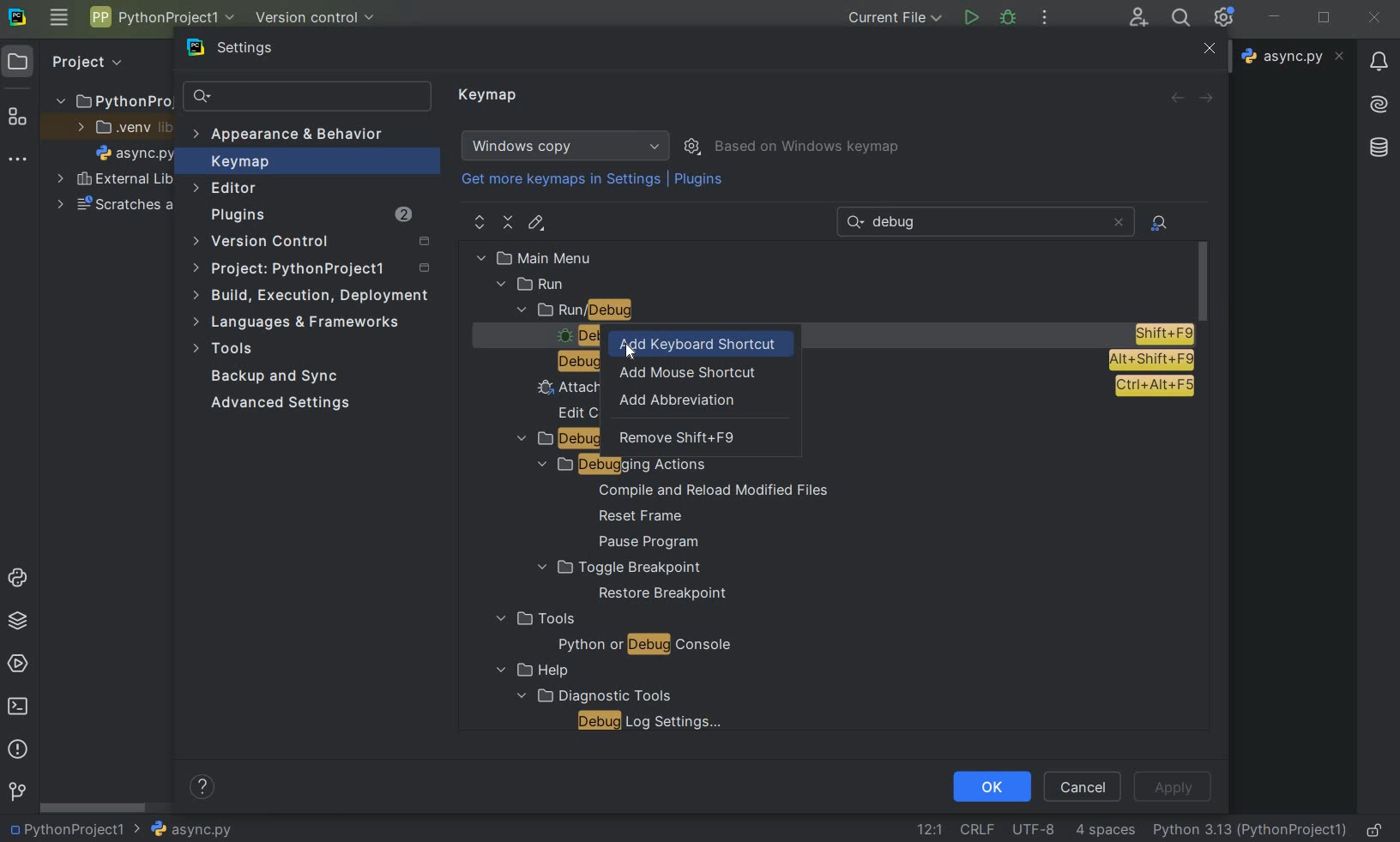 This screenshot has height=842, width=1400. Describe the element at coordinates (614, 465) in the screenshot. I see `debugging actions` at that location.